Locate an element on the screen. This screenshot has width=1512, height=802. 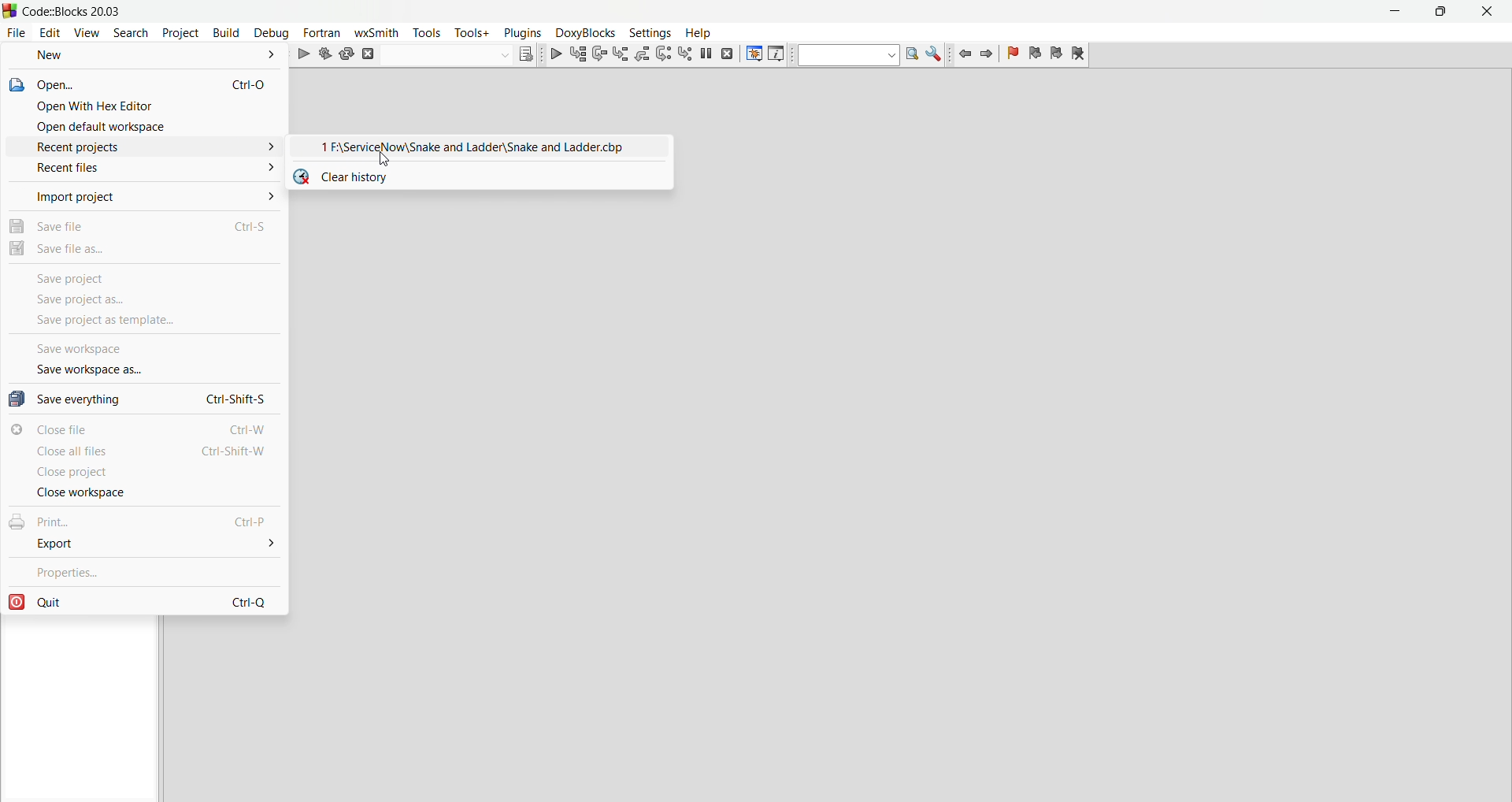
build target is located at coordinates (447, 56).